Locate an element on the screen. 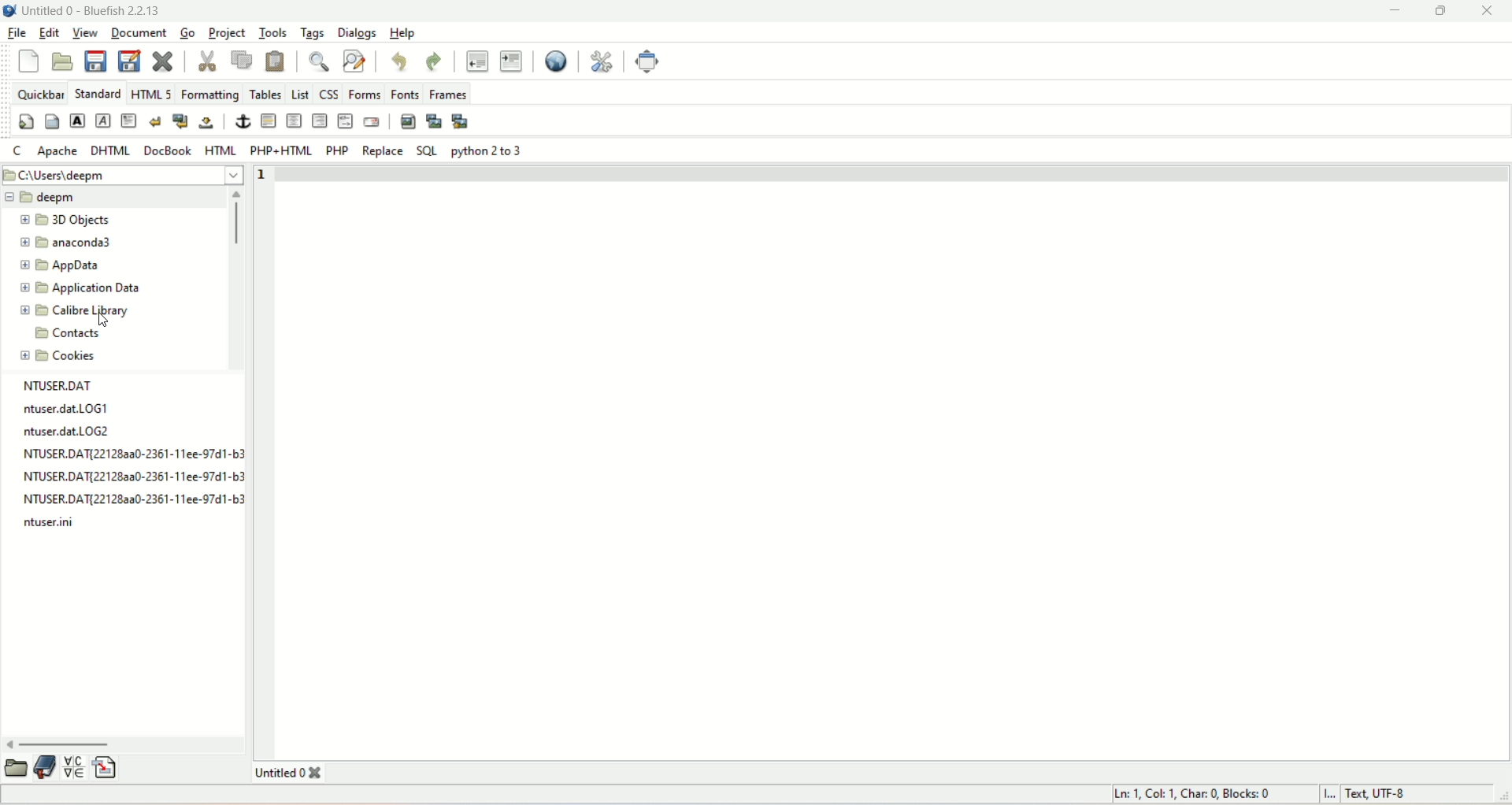  center is located at coordinates (295, 121).